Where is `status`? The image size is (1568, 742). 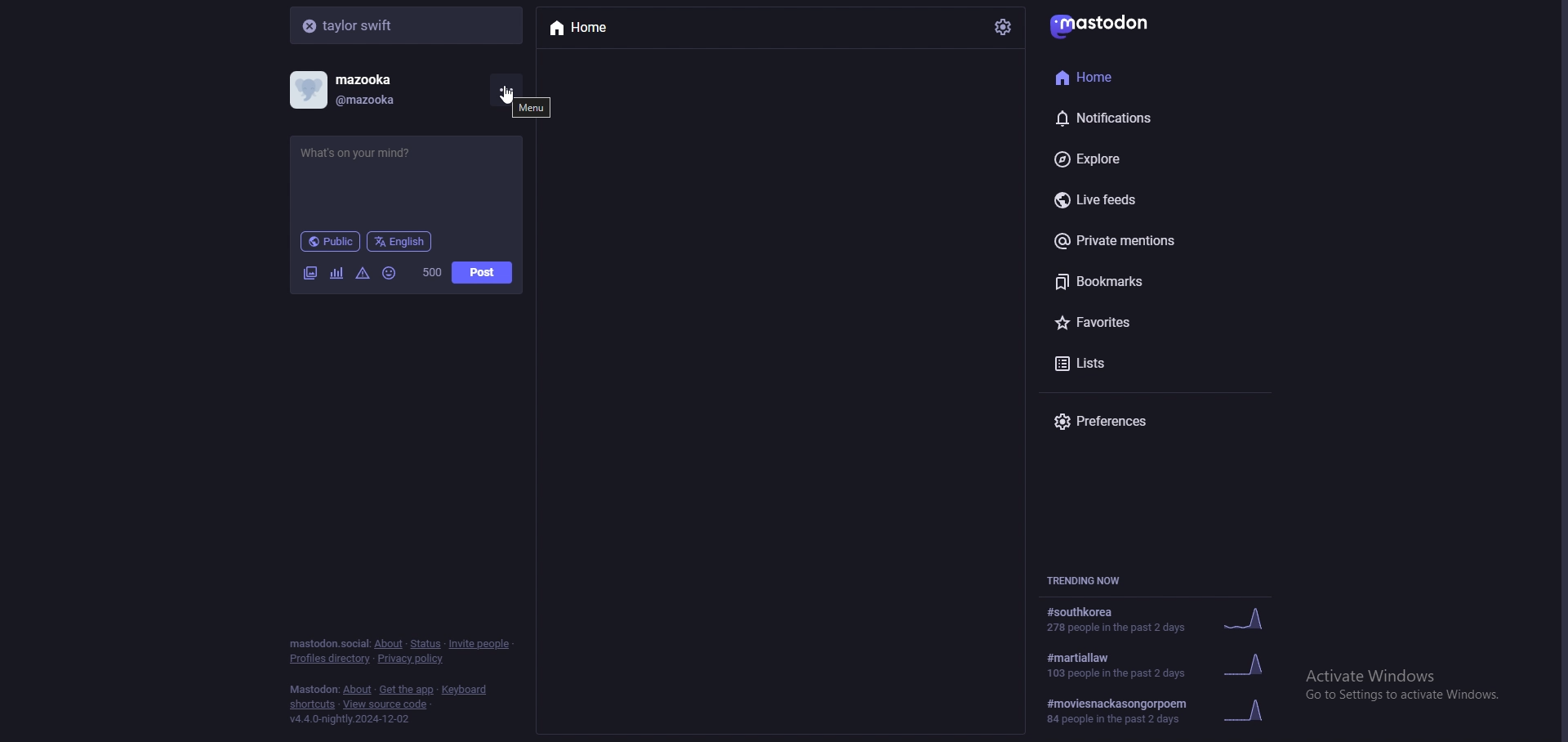
status is located at coordinates (426, 644).